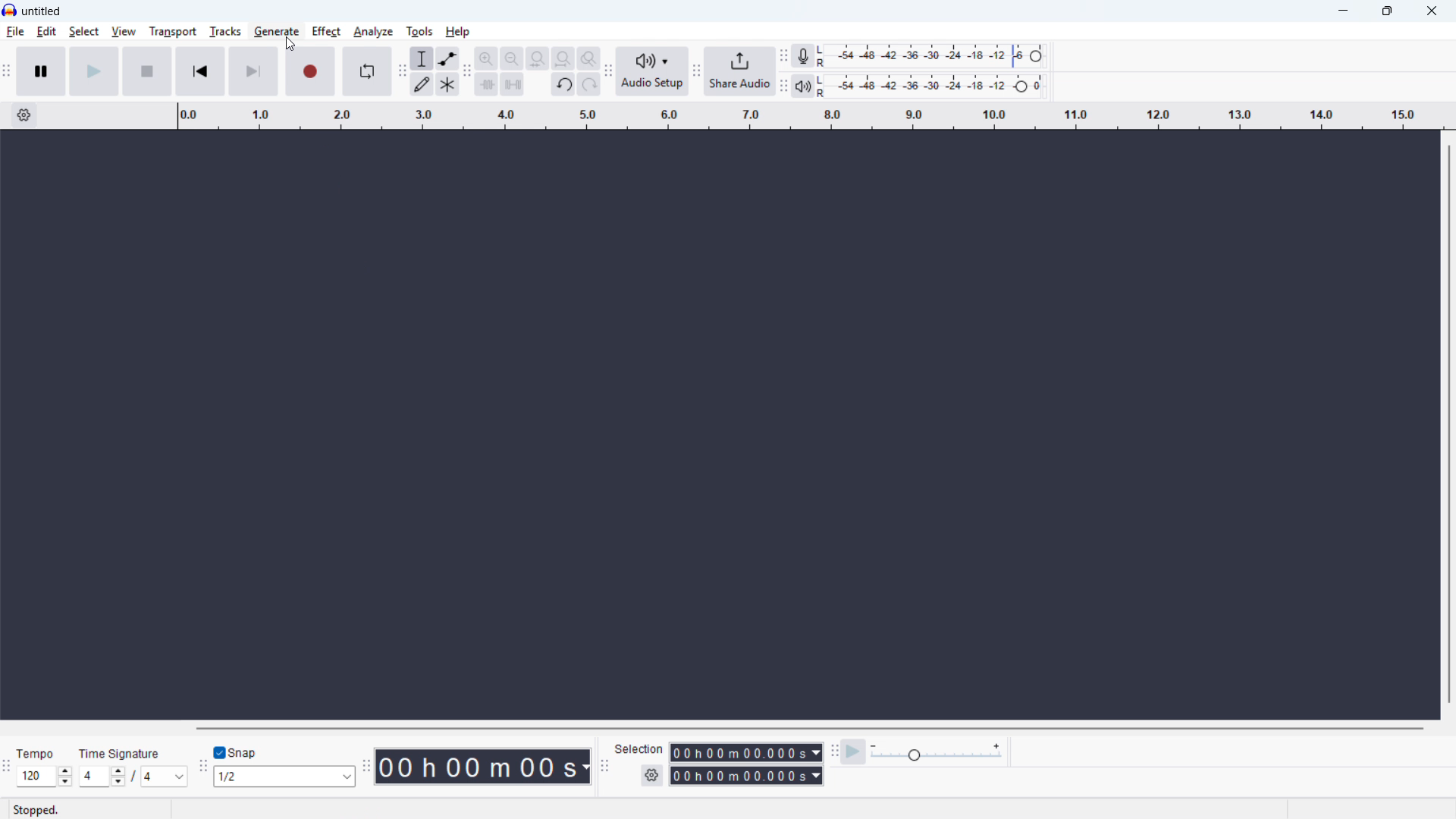  I want to click on Enable looping , so click(366, 71).